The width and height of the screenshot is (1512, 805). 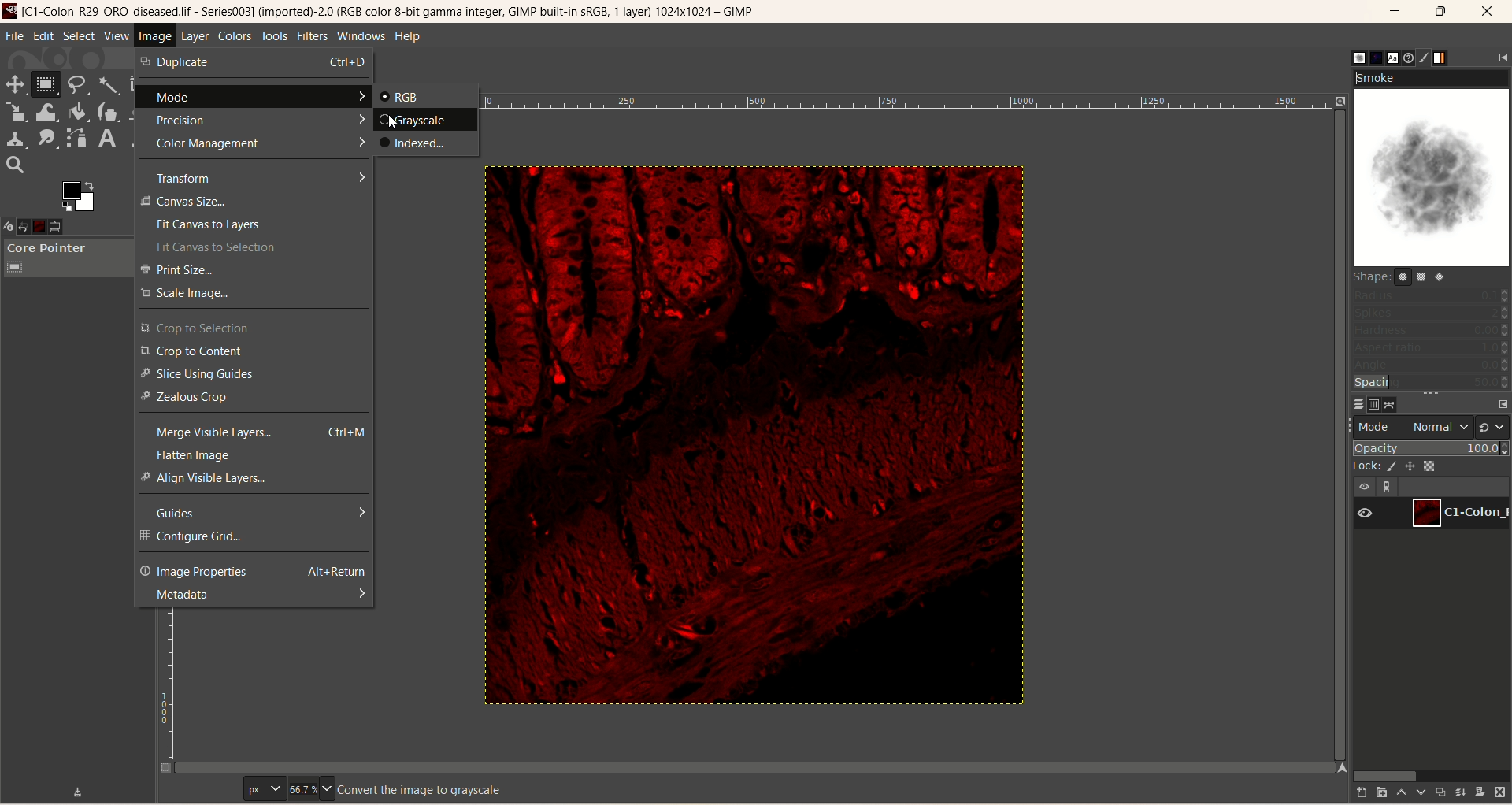 I want to click on windows, so click(x=361, y=36).